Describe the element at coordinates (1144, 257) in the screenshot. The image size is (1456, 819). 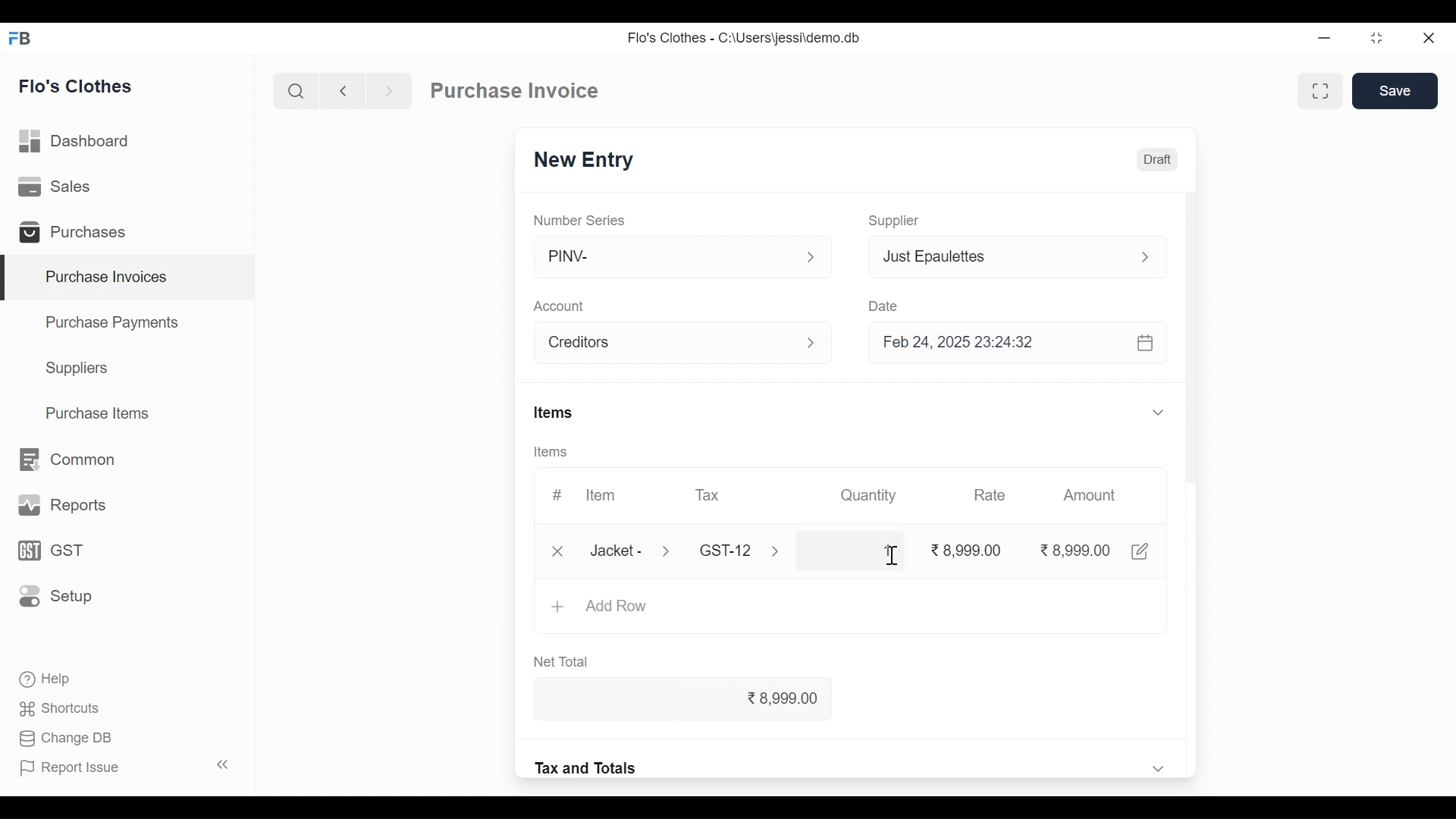
I see `Expand` at that location.